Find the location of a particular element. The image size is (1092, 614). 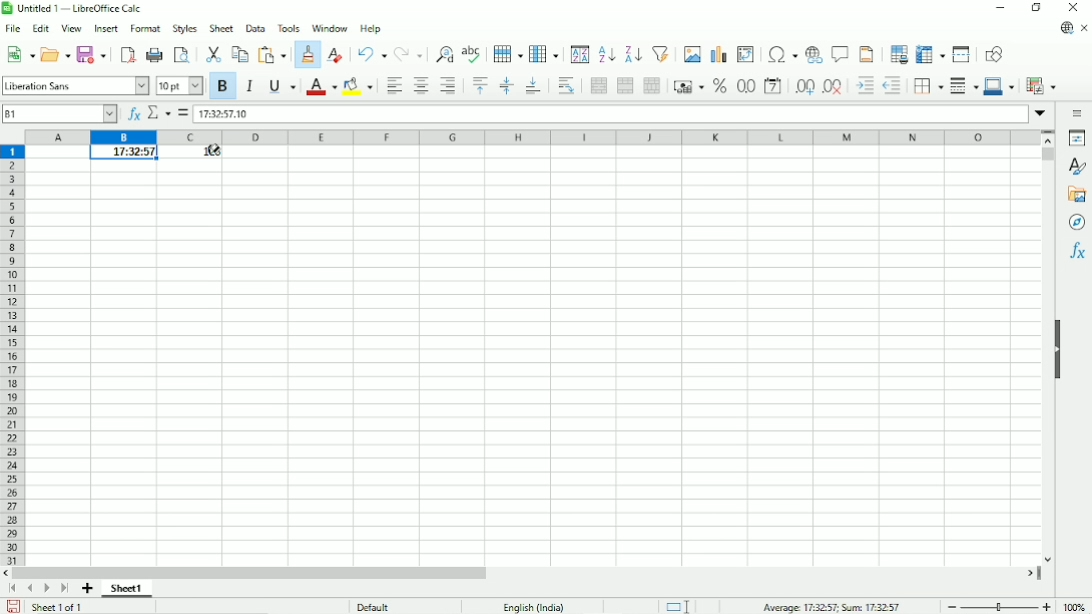

Scroll to next sheet is located at coordinates (47, 589).